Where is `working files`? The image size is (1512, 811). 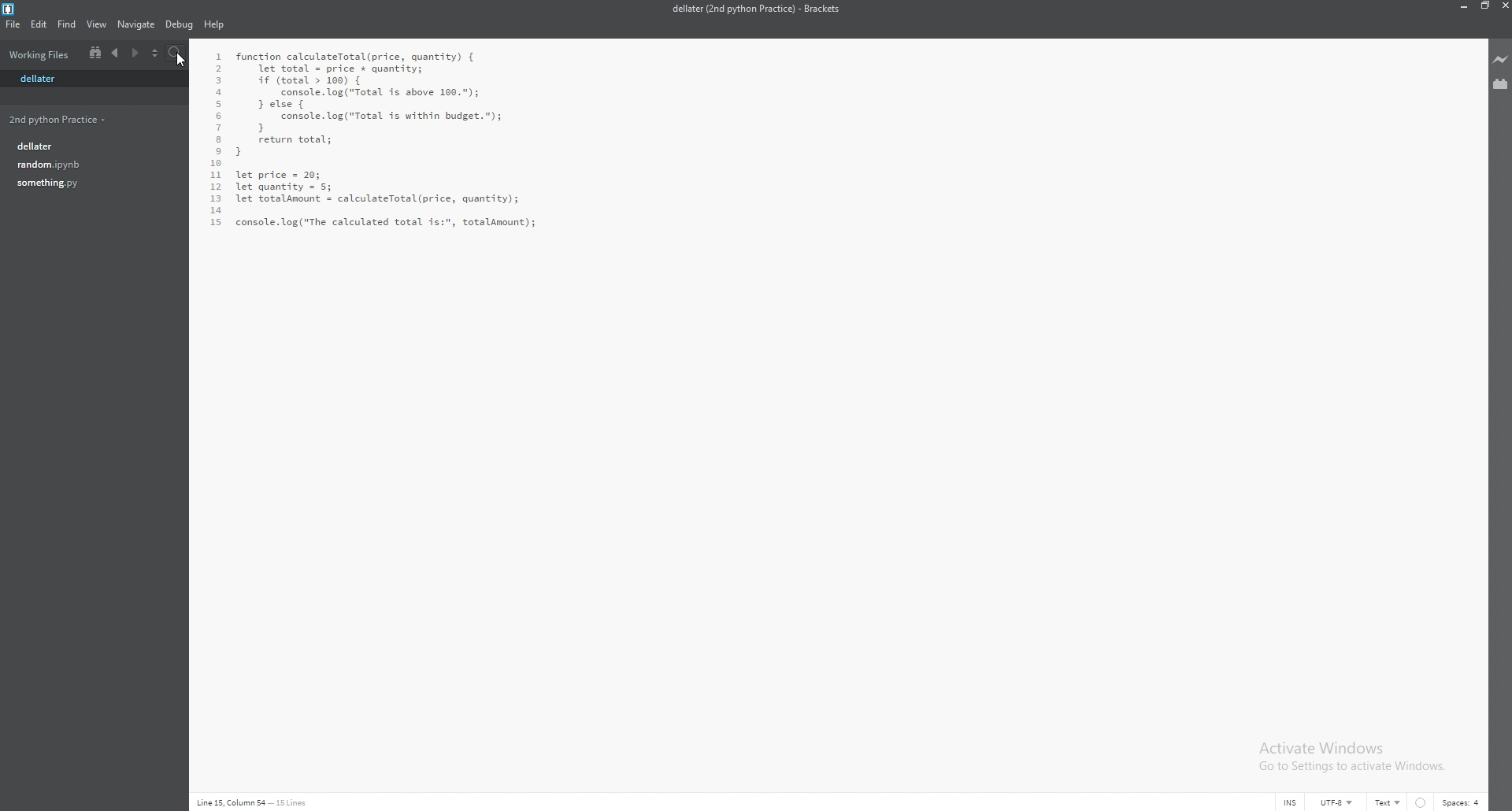 working files is located at coordinates (39, 54).